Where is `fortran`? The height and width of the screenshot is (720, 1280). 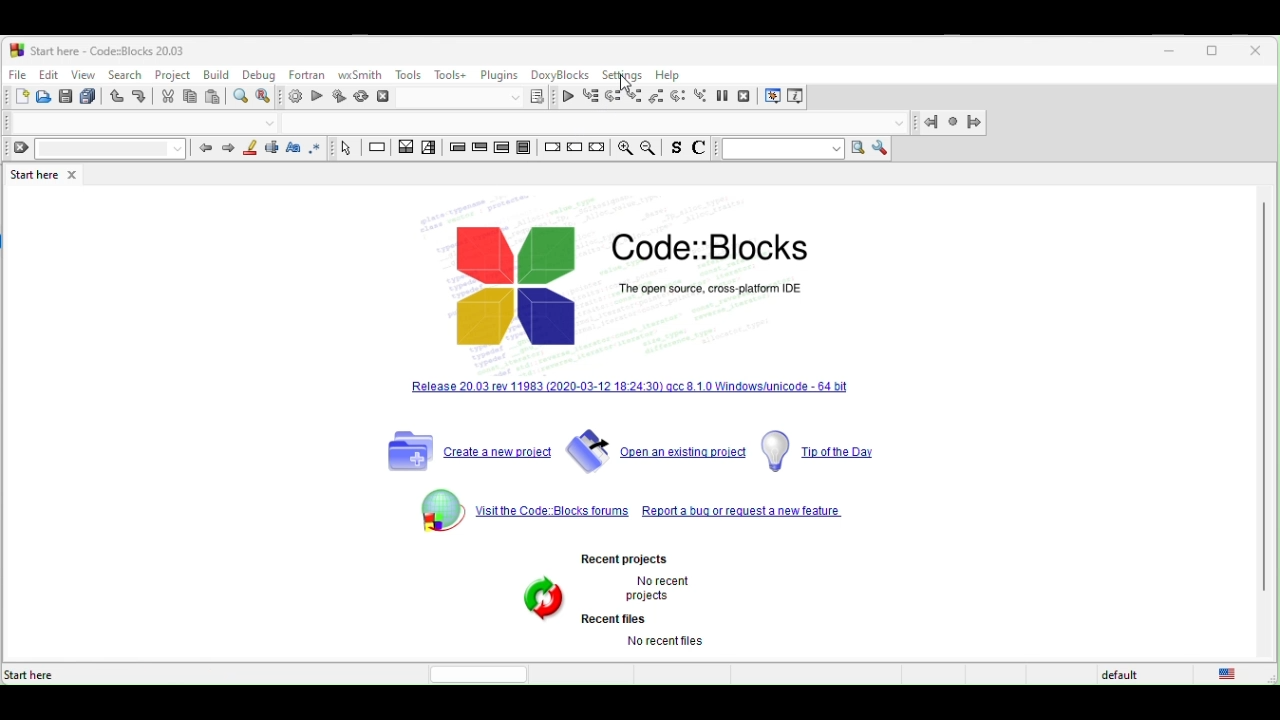
fortran is located at coordinates (306, 74).